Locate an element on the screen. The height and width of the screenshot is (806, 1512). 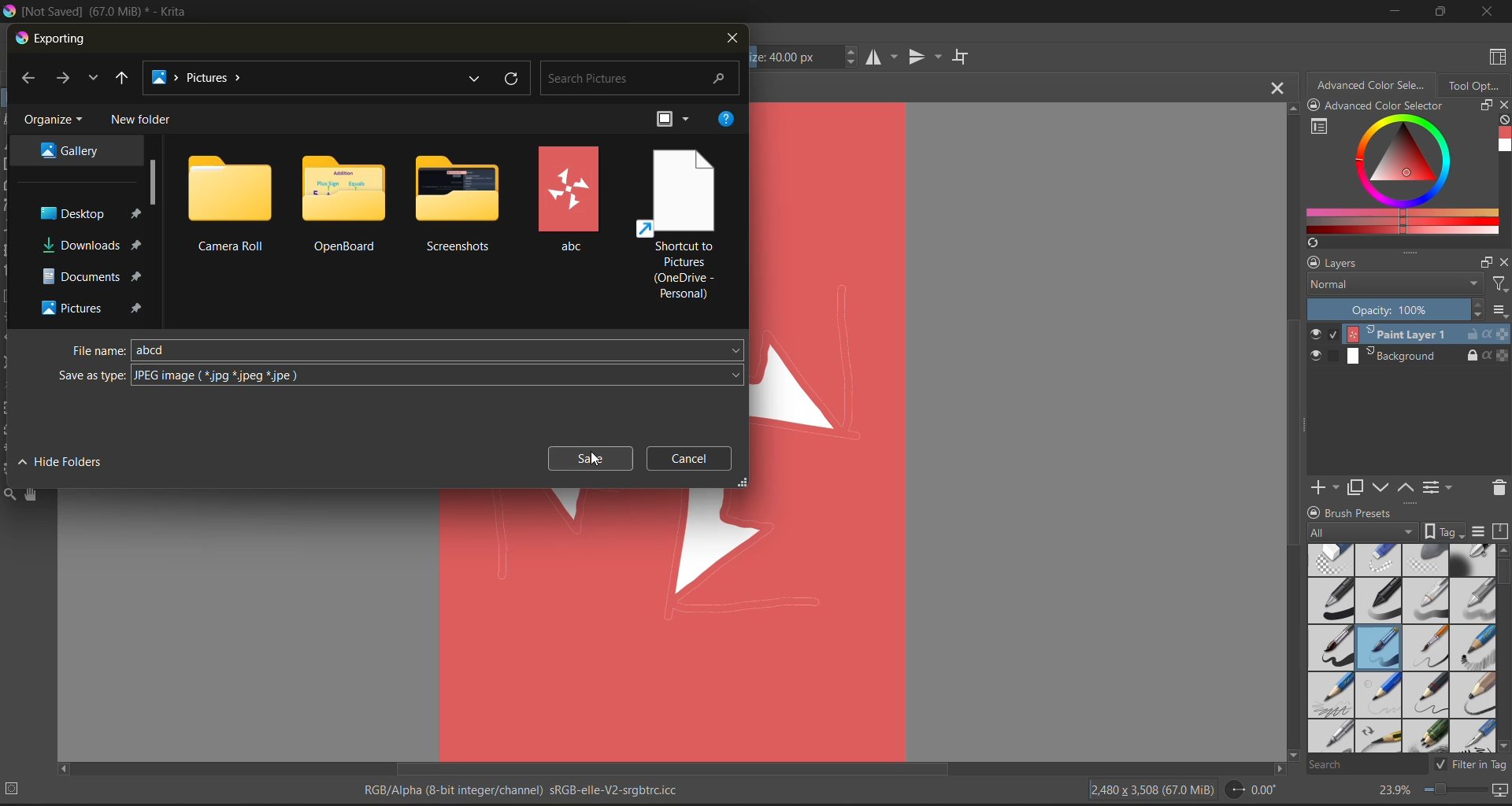
horizontal scroll bar is located at coordinates (676, 768).